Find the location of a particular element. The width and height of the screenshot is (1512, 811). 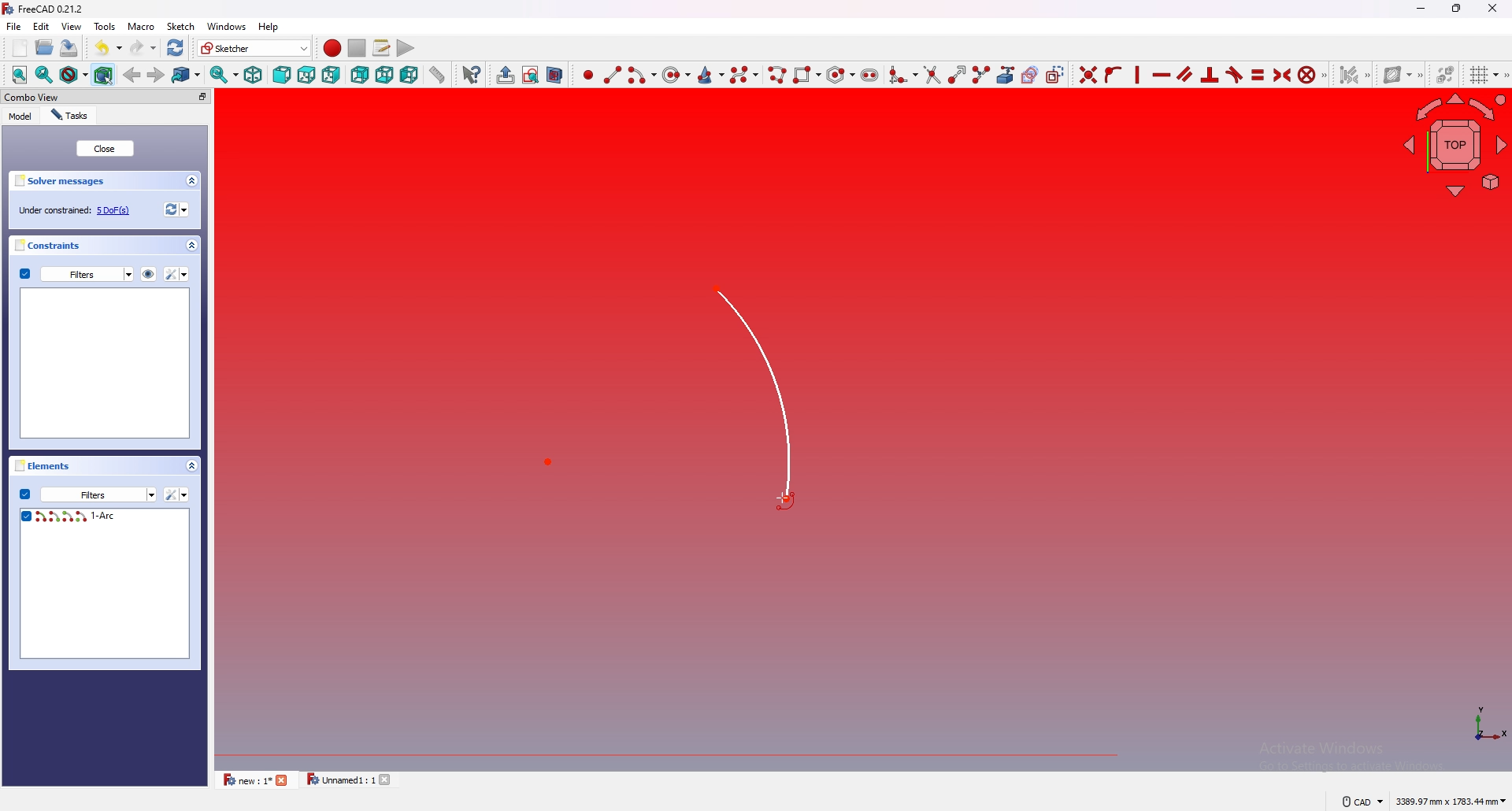

constraint point onto object is located at coordinates (1114, 74).